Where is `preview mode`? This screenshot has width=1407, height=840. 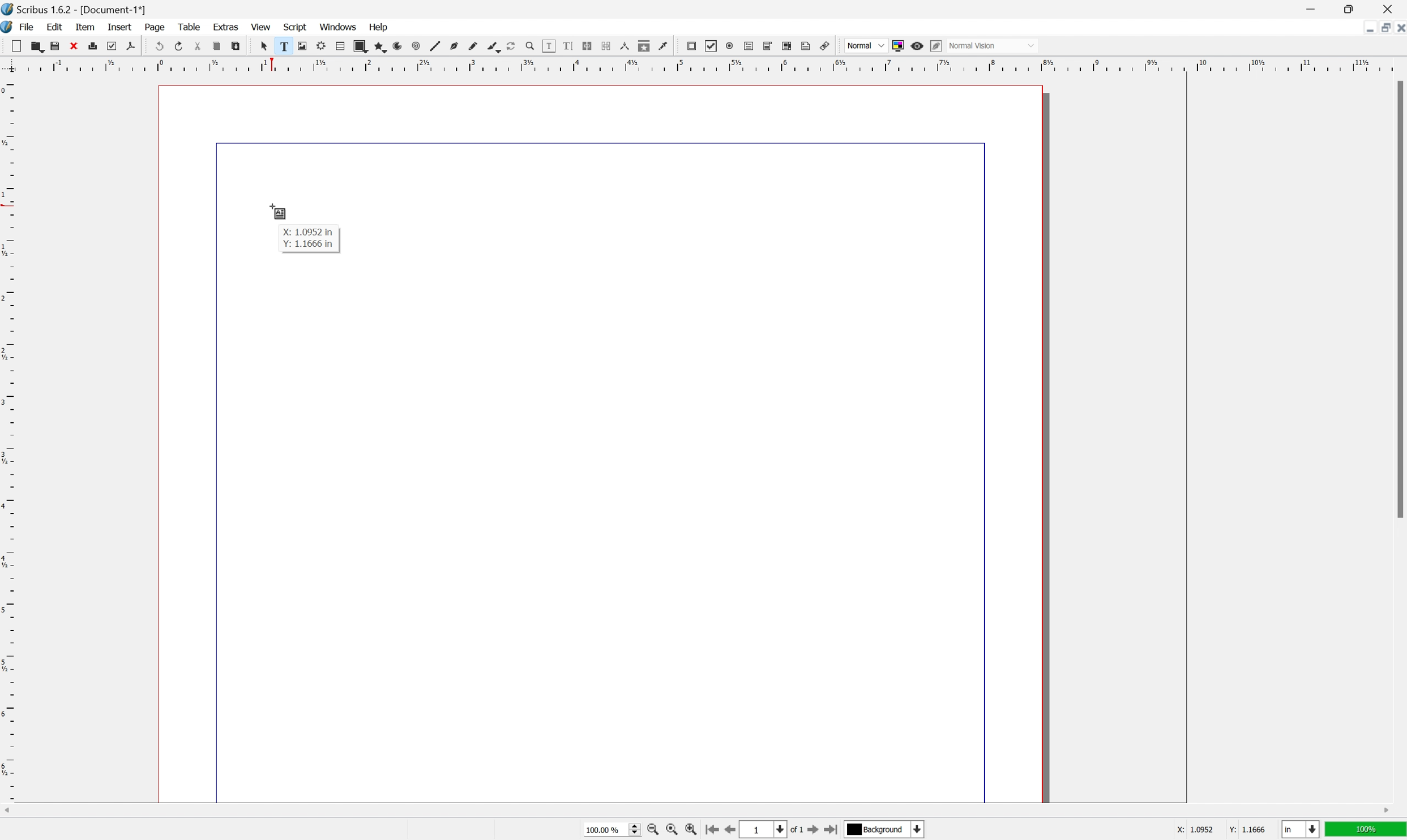
preview mode is located at coordinates (916, 45).